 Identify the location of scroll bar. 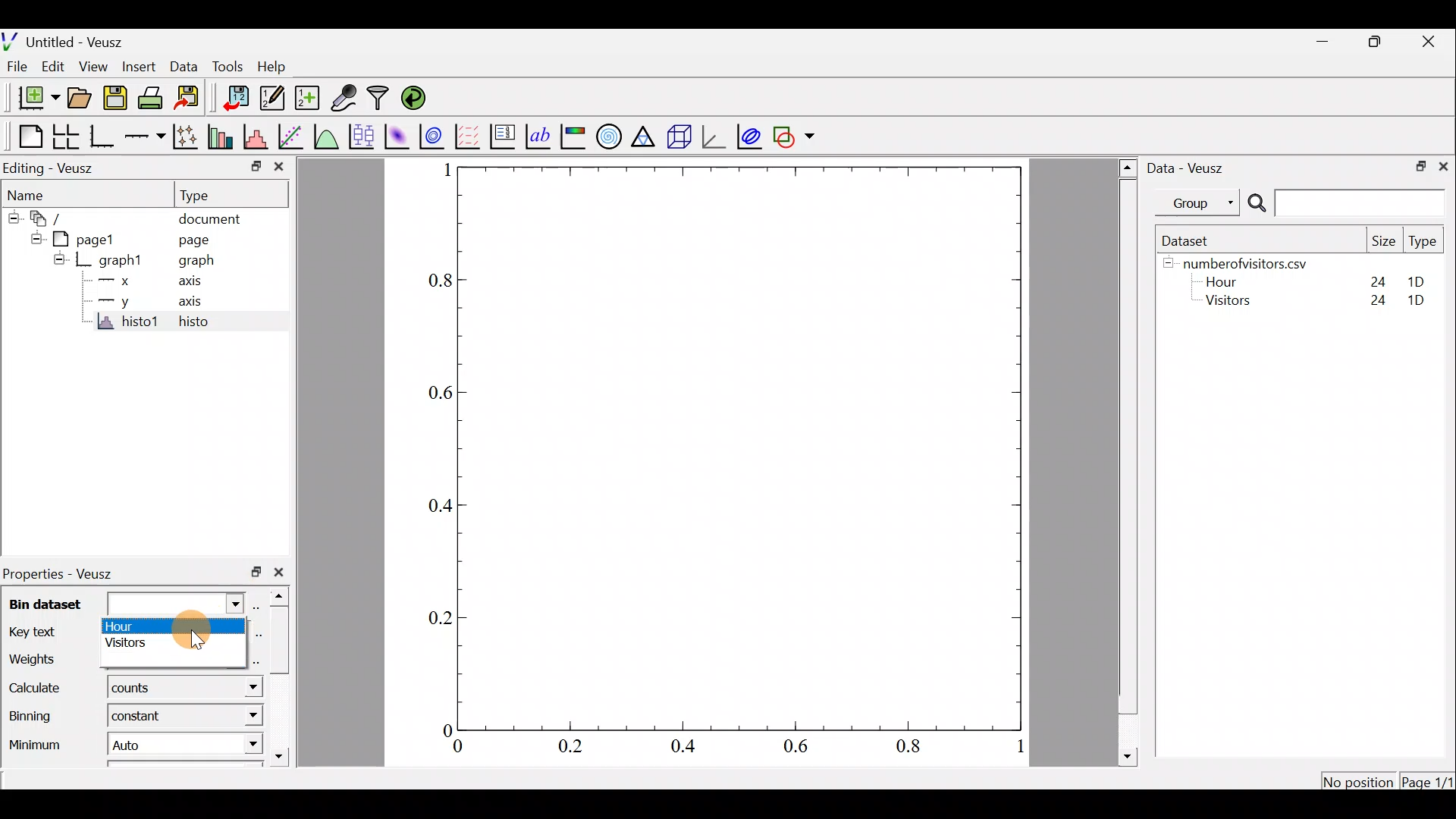
(282, 679).